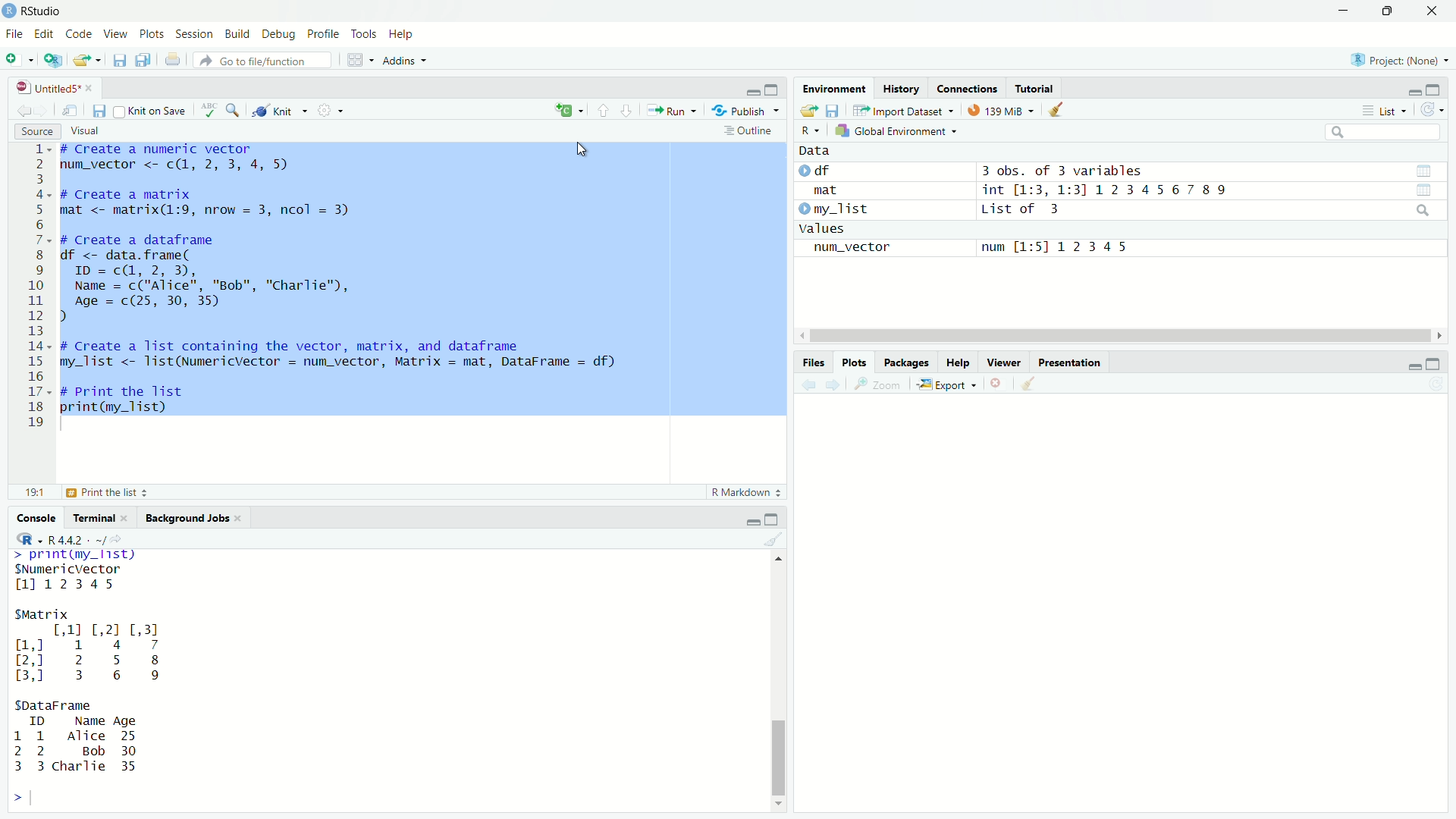  Describe the element at coordinates (877, 385) in the screenshot. I see `zoom` at that location.